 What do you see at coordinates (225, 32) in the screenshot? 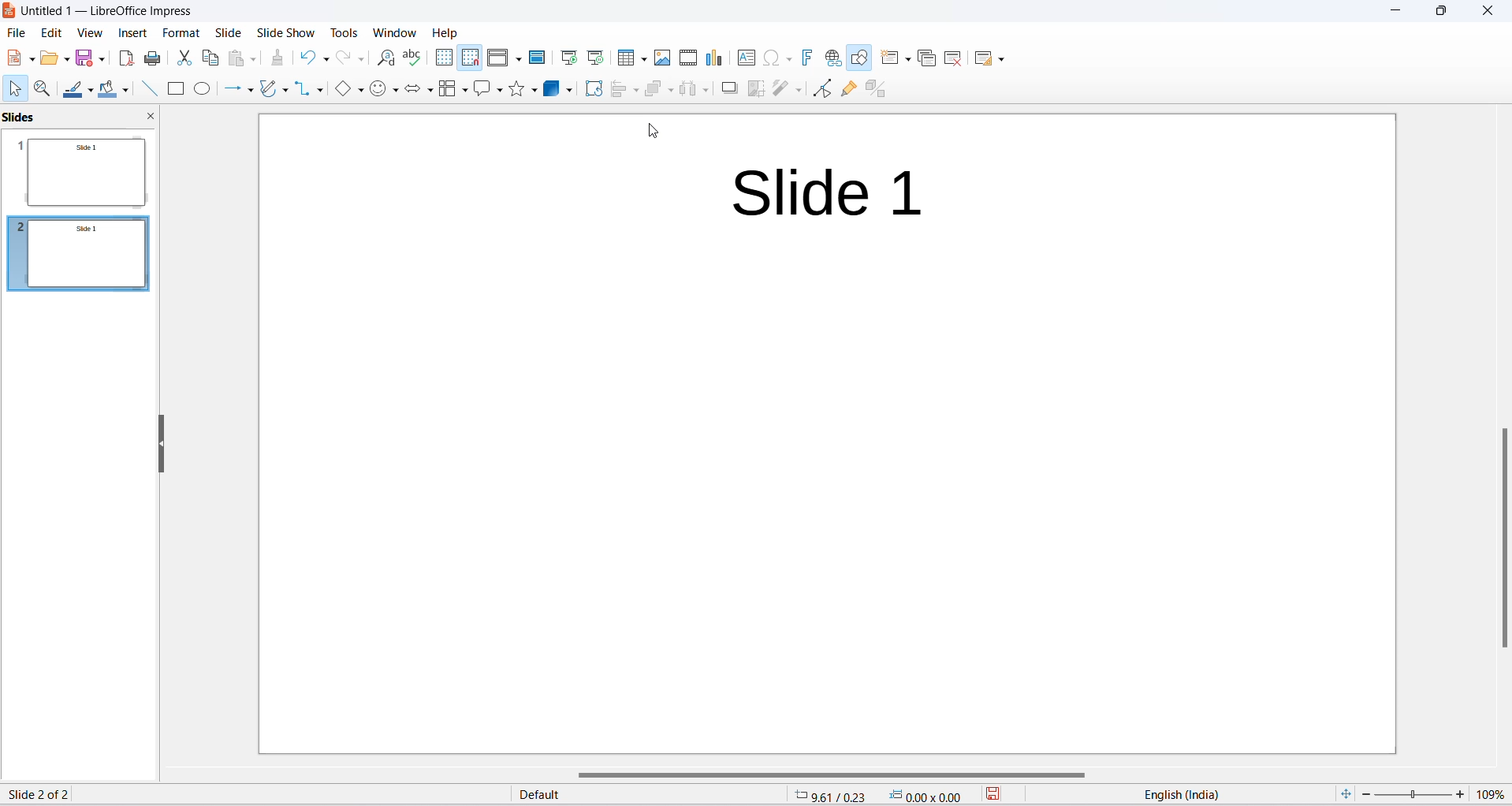
I see `slide` at bounding box center [225, 32].